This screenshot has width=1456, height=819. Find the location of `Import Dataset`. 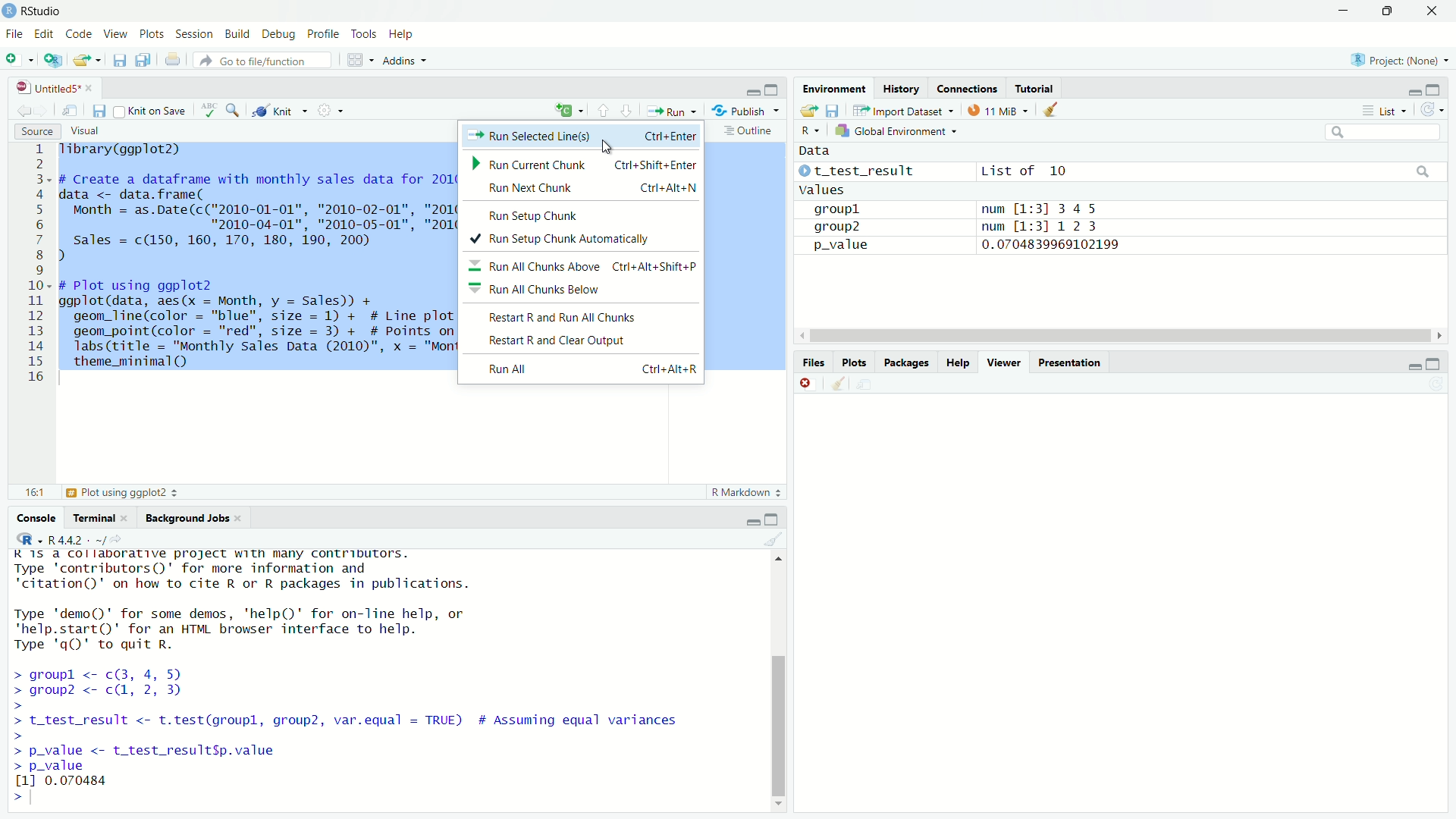

Import Dataset is located at coordinates (900, 111).